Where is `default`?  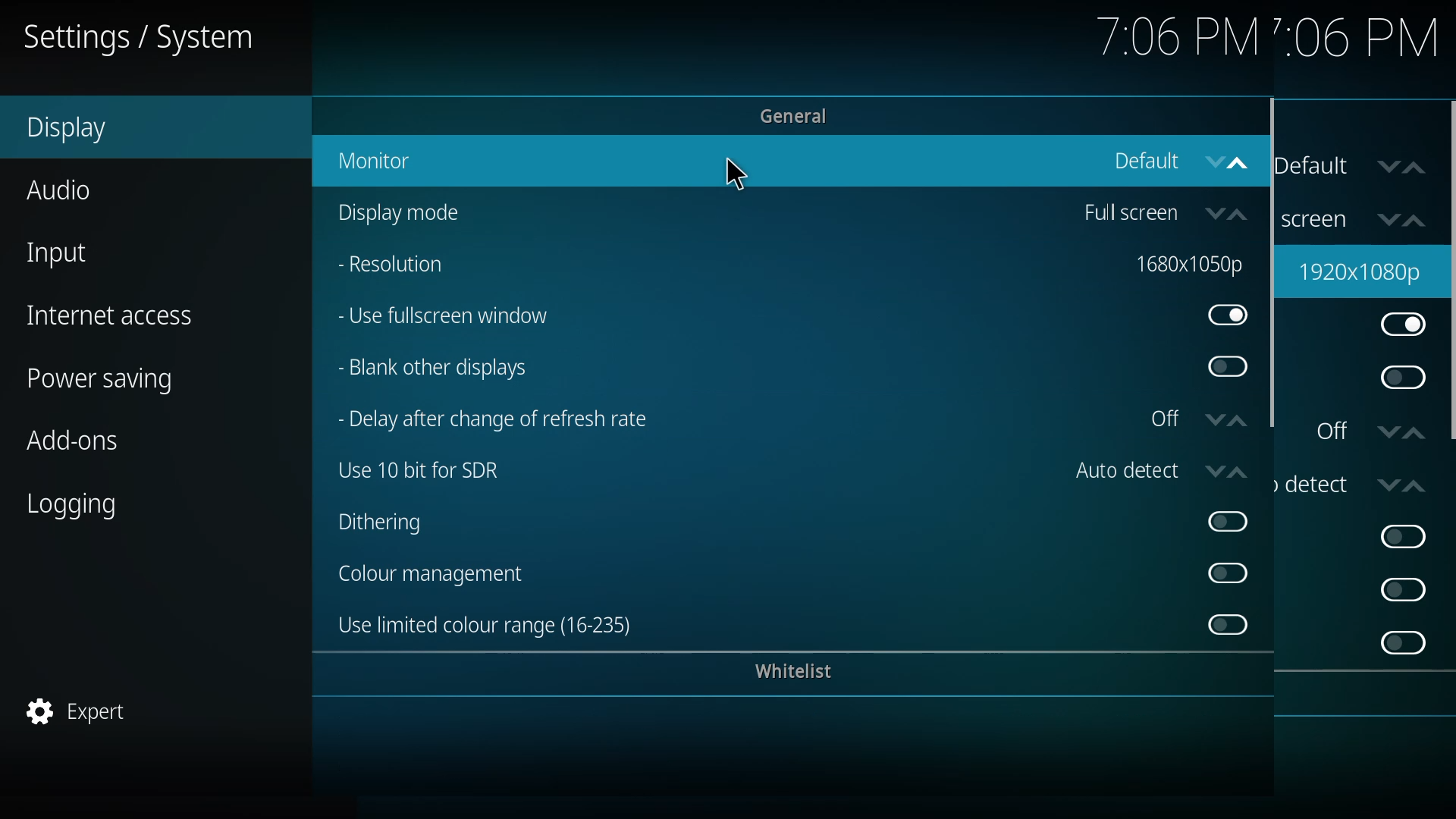
default is located at coordinates (1362, 168).